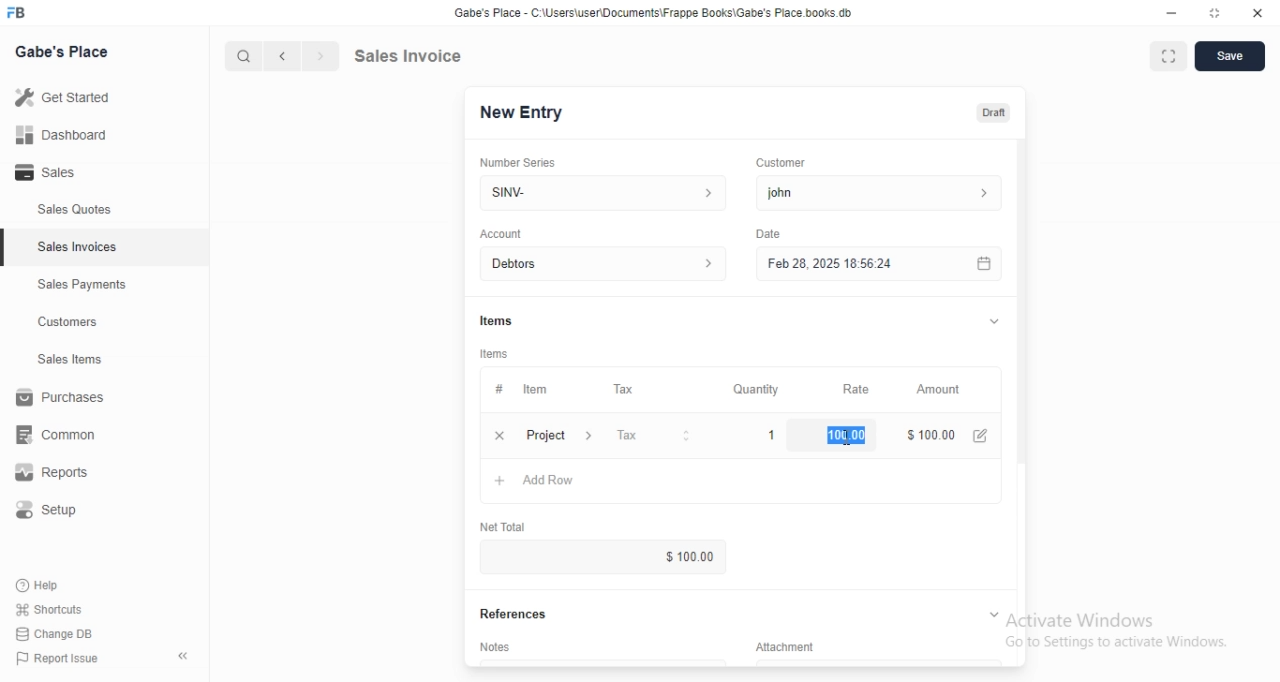 This screenshot has height=682, width=1280. Describe the element at coordinates (796, 646) in the screenshot. I see `` at that location.